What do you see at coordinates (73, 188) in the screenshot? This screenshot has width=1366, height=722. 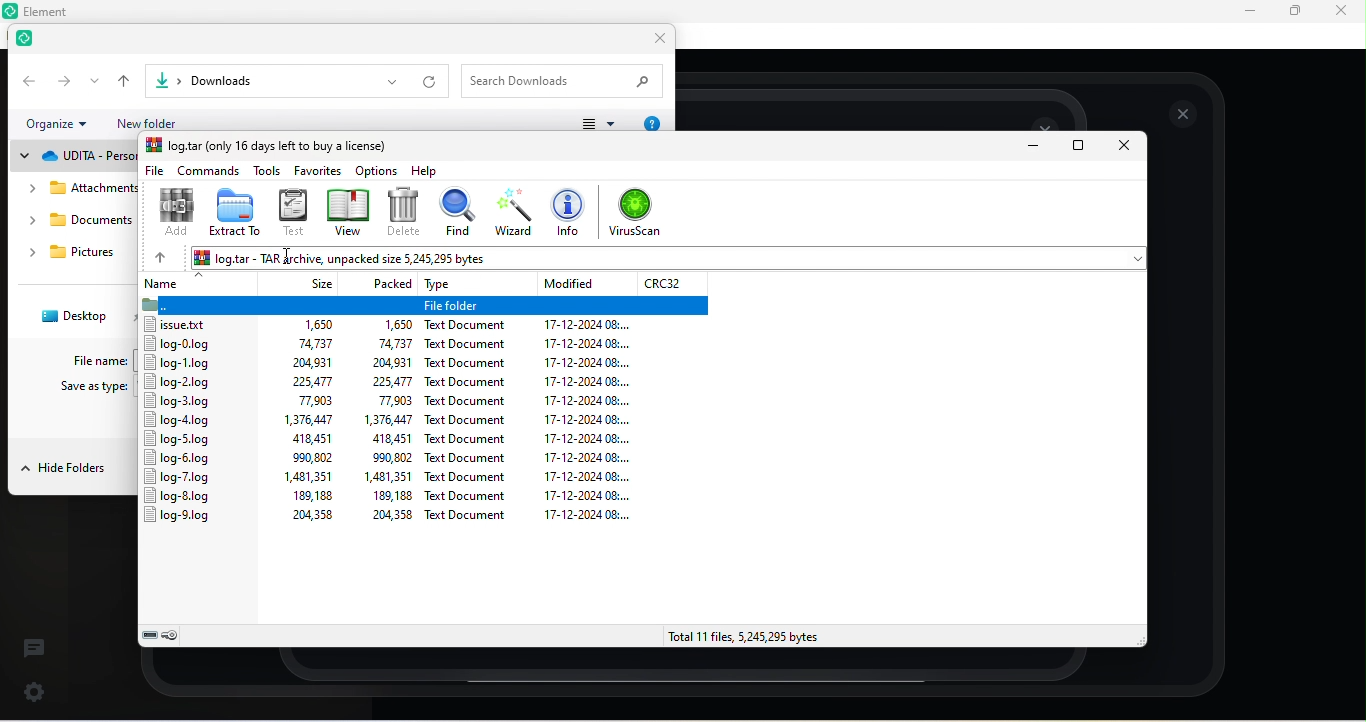 I see `attachments` at bounding box center [73, 188].